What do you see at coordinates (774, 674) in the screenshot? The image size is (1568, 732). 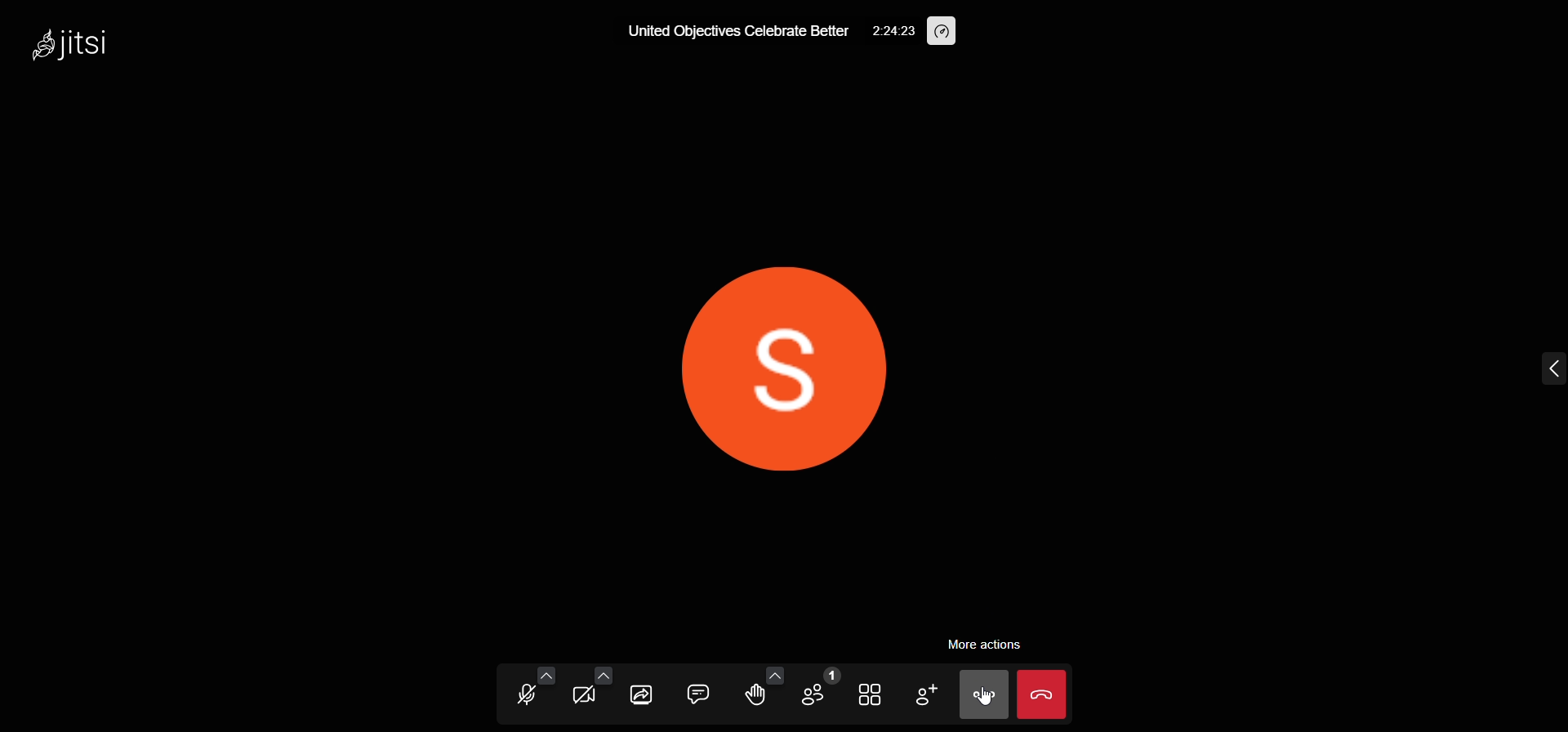 I see `more emoji` at bounding box center [774, 674].